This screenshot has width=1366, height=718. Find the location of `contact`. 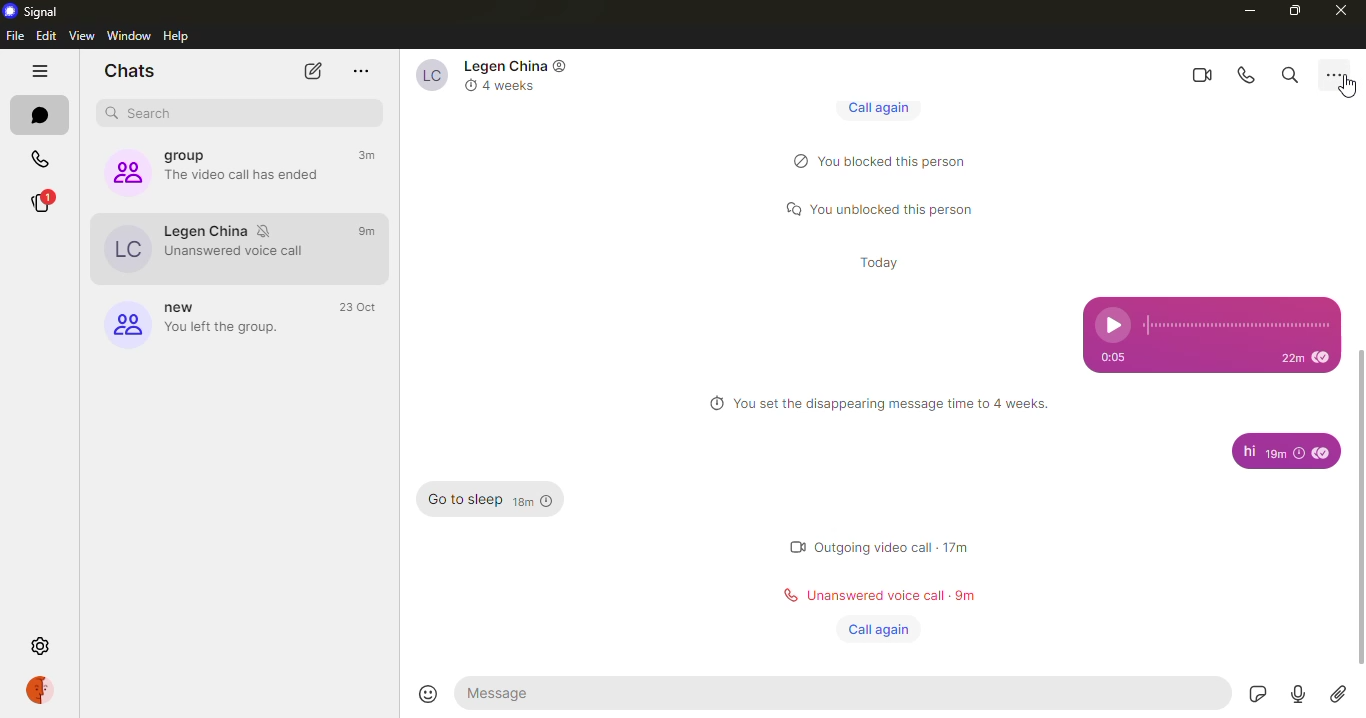

contact is located at coordinates (490, 75).